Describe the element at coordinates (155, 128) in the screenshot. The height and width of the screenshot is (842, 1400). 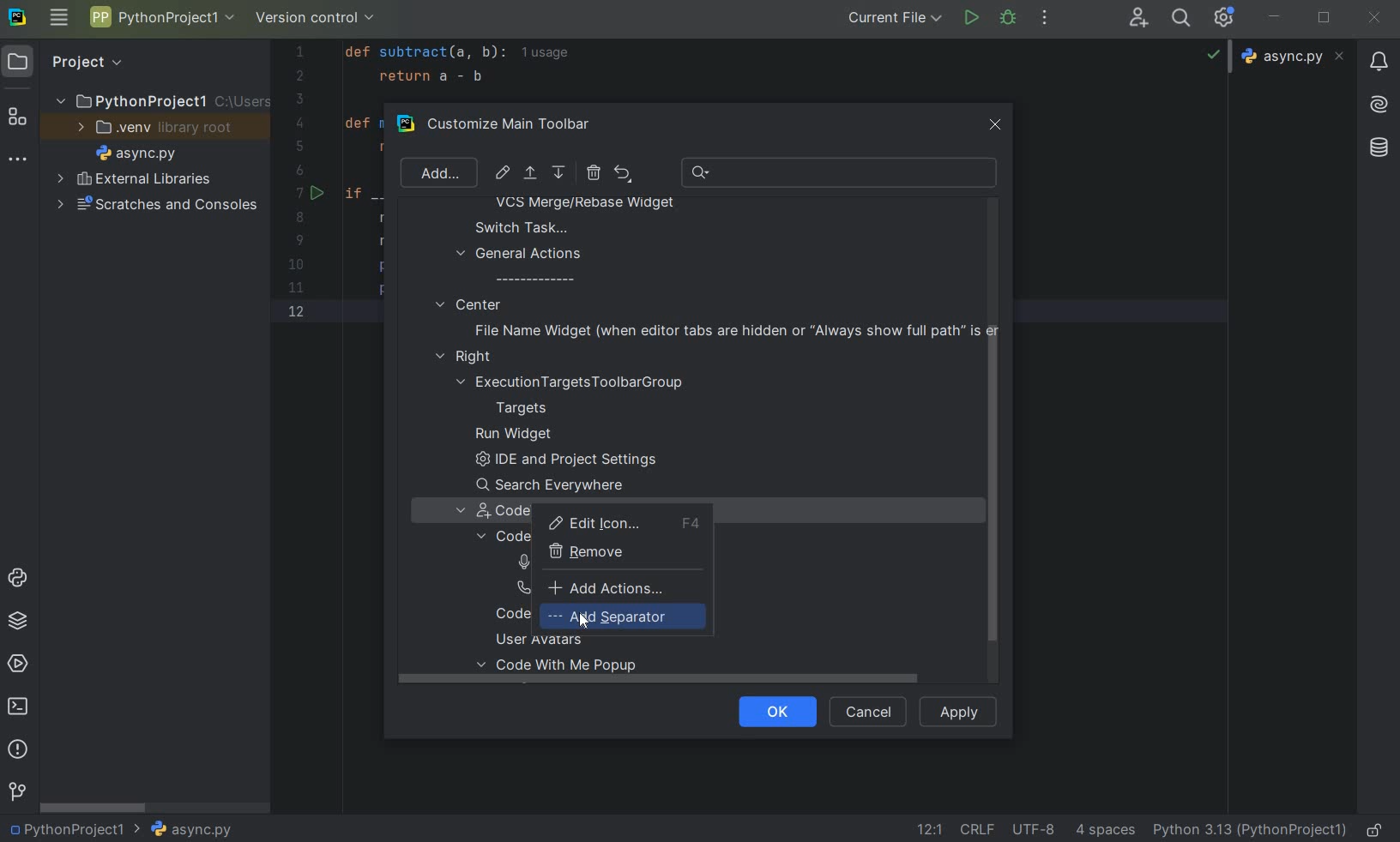
I see `.VENV` at that location.